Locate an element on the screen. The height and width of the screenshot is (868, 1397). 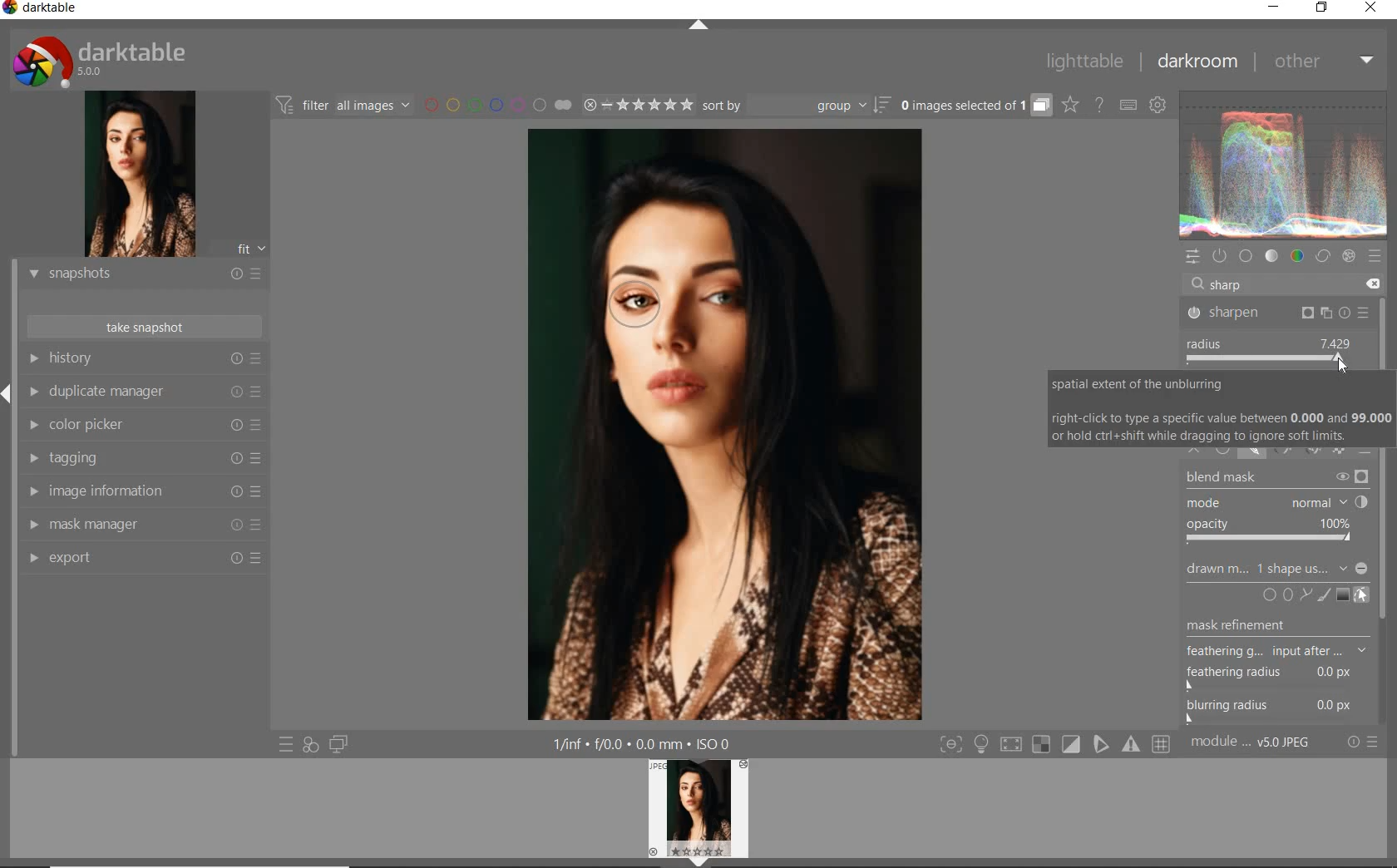
show only active modules is located at coordinates (1222, 255).